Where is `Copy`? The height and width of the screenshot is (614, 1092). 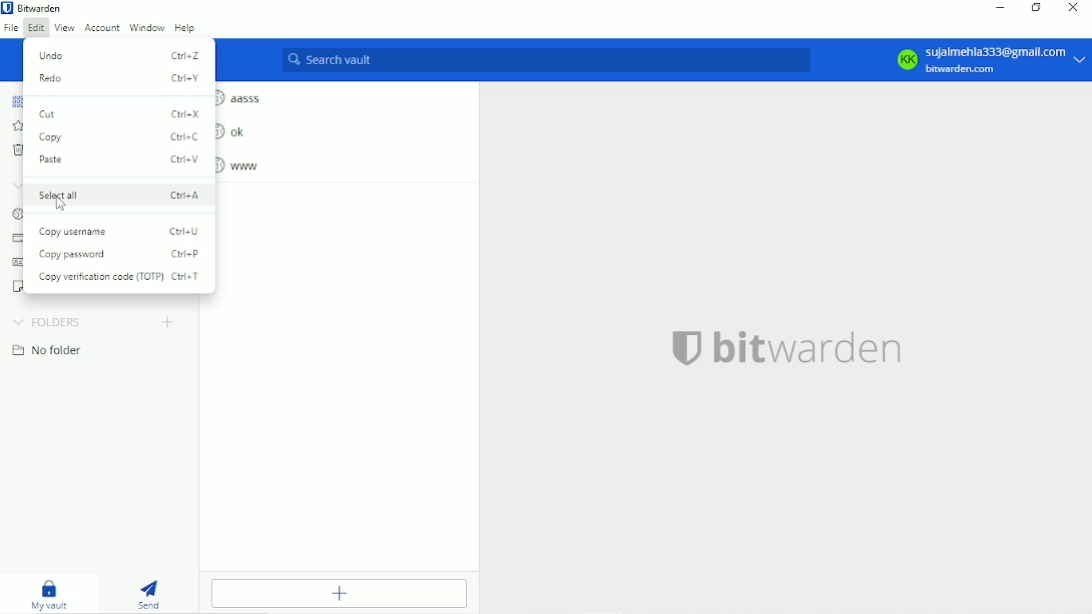 Copy is located at coordinates (120, 137).